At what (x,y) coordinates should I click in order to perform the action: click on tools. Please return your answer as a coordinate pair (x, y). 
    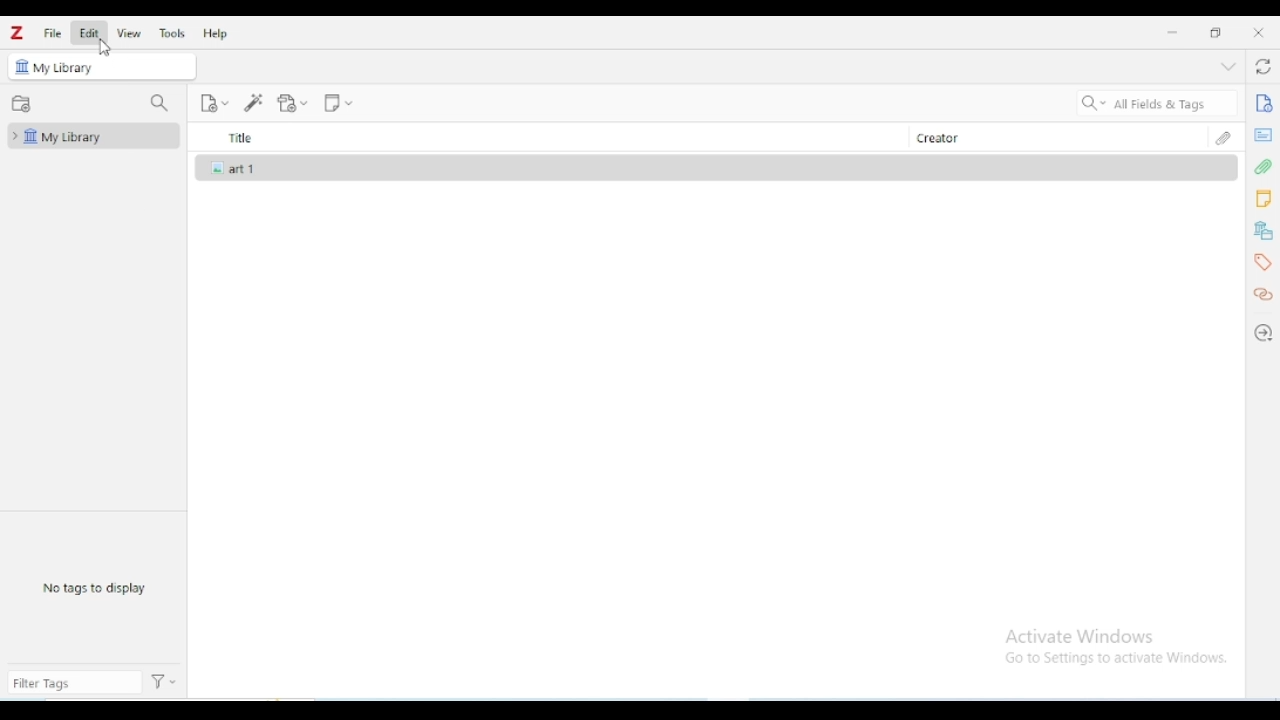
    Looking at the image, I should click on (171, 33).